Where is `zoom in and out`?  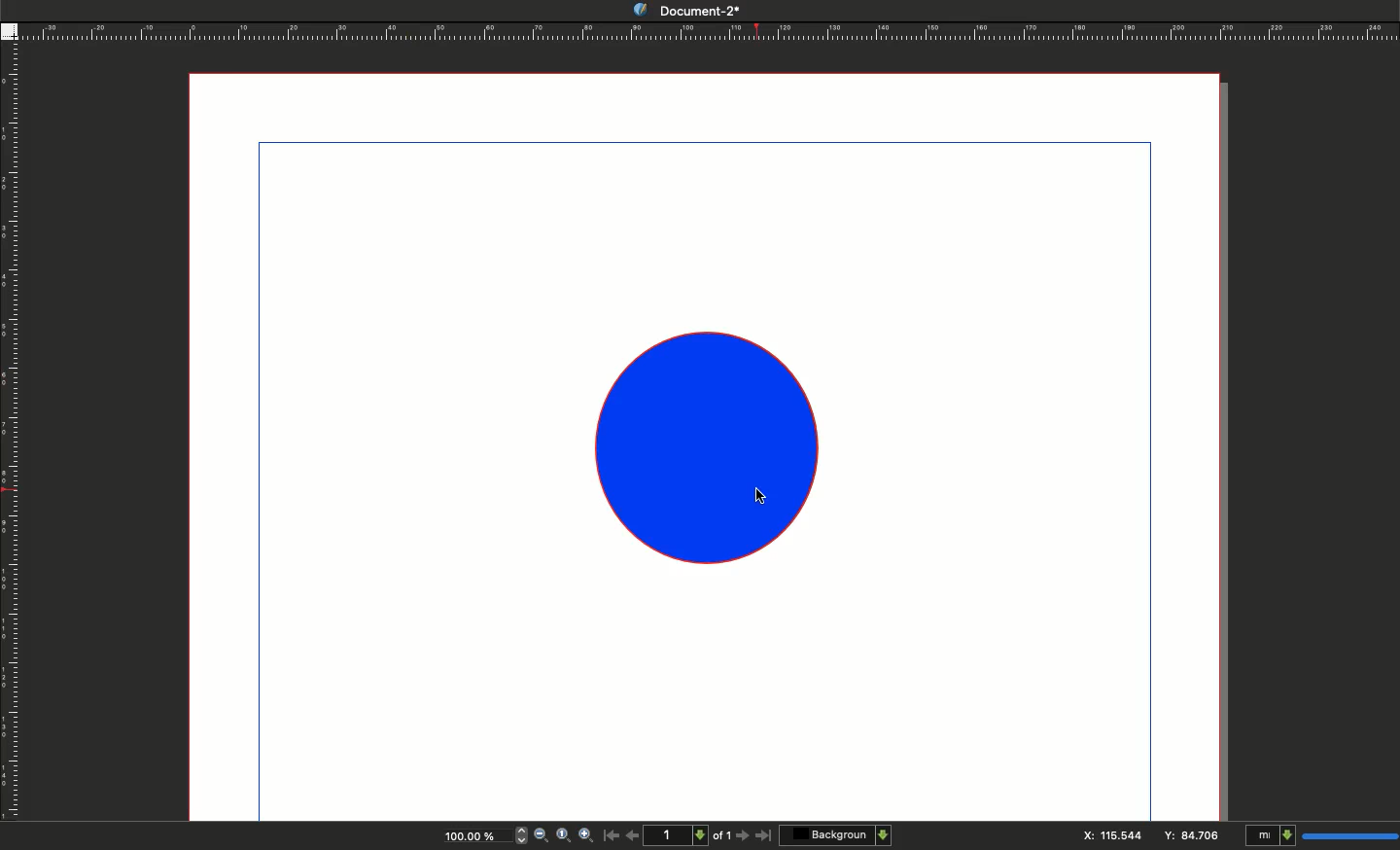 zoom in and out is located at coordinates (517, 834).